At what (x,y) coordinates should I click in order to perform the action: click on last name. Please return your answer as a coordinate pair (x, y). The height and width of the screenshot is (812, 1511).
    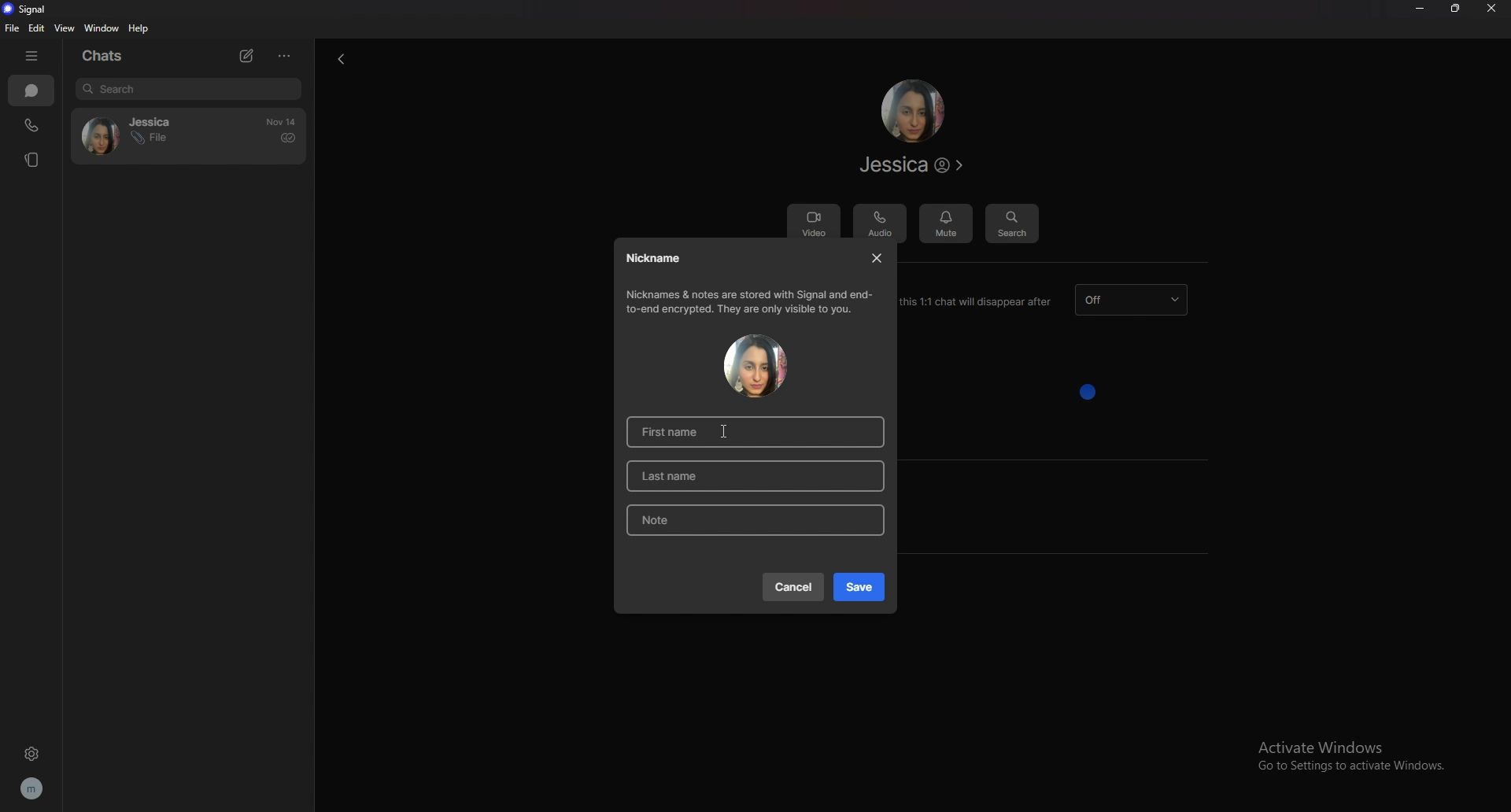
    Looking at the image, I should click on (760, 475).